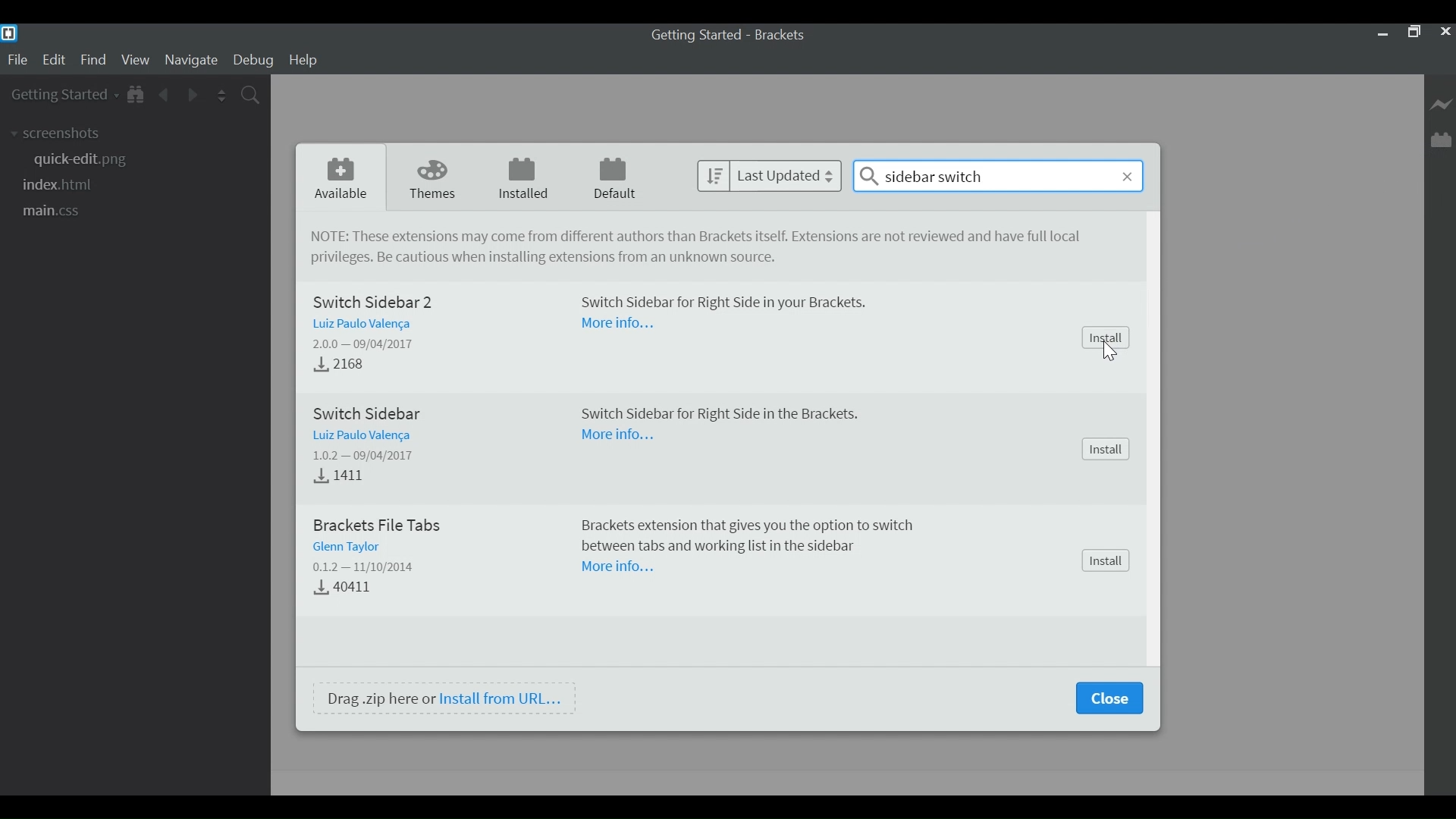 This screenshot has height=819, width=1456. Describe the element at coordinates (222, 94) in the screenshot. I see `Split the Editor Vertically or Horizontally` at that location.